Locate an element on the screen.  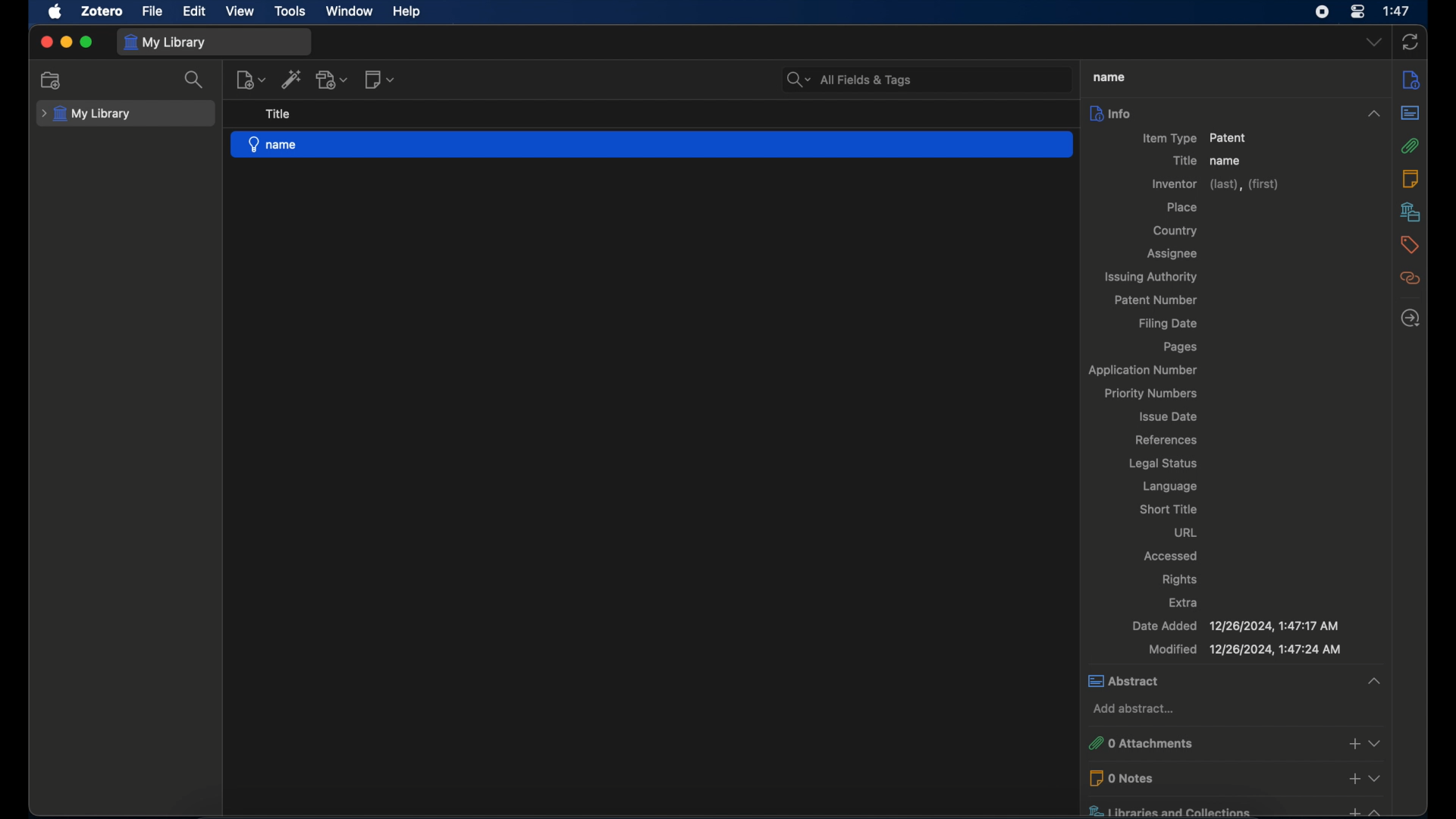
tags is located at coordinates (1410, 244).